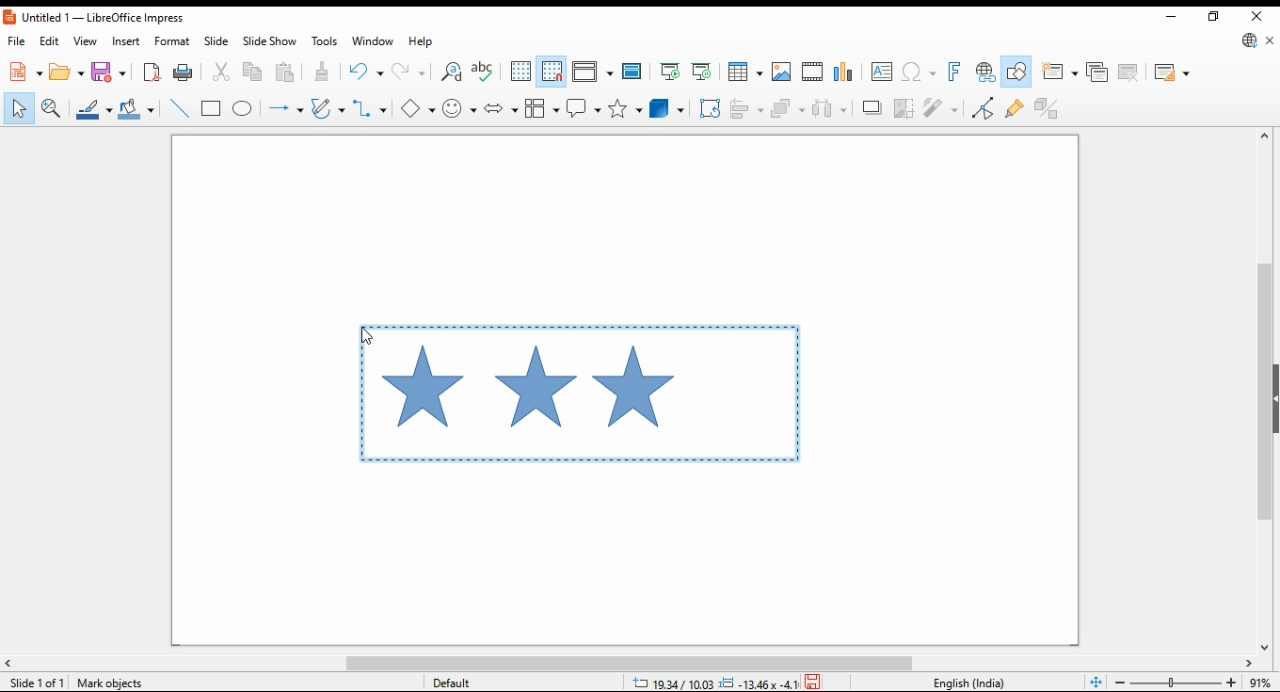 This screenshot has width=1280, height=692. I want to click on fit page to window, so click(1097, 681).